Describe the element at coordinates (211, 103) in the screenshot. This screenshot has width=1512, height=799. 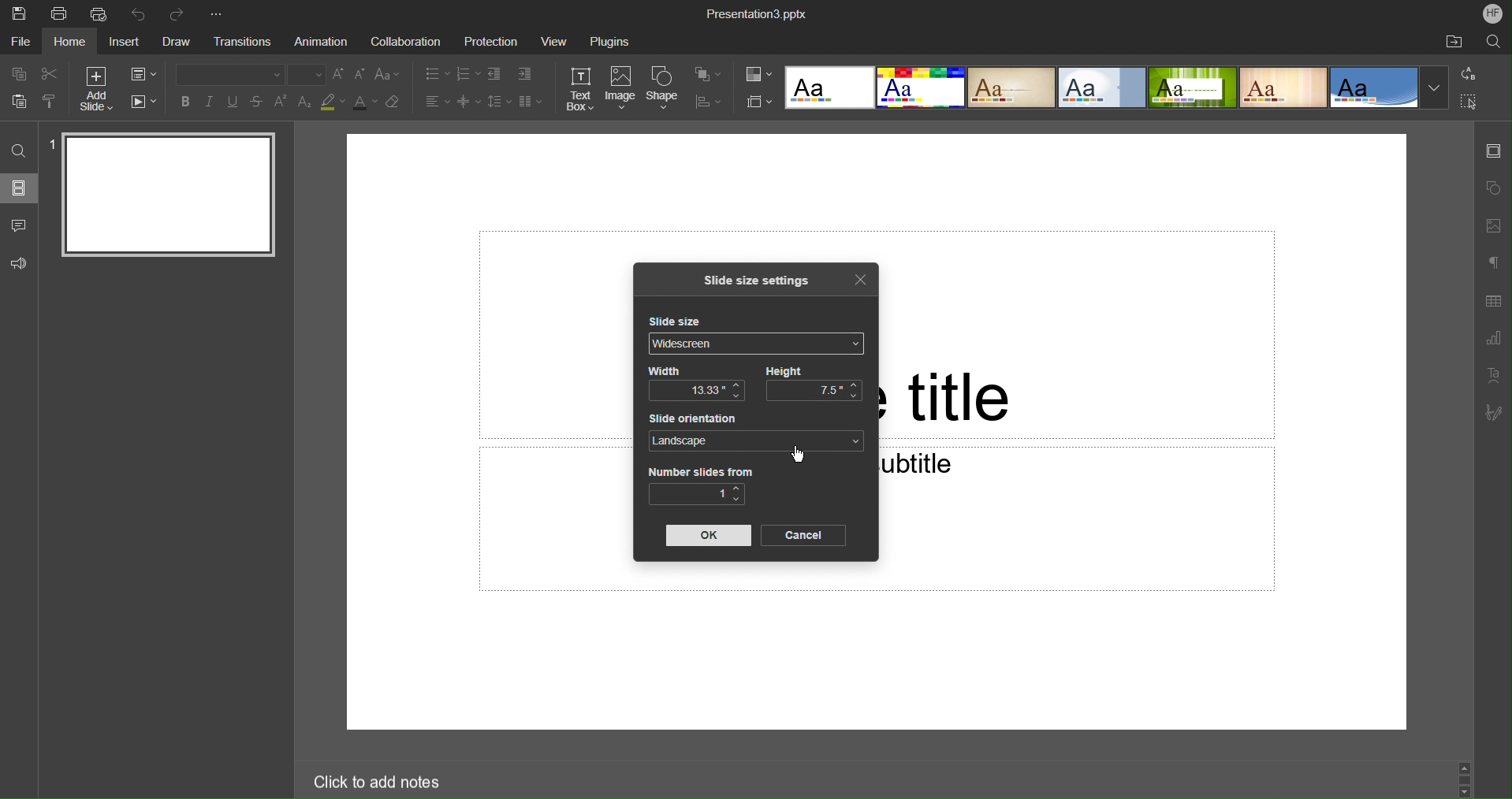
I see `Italics` at that location.